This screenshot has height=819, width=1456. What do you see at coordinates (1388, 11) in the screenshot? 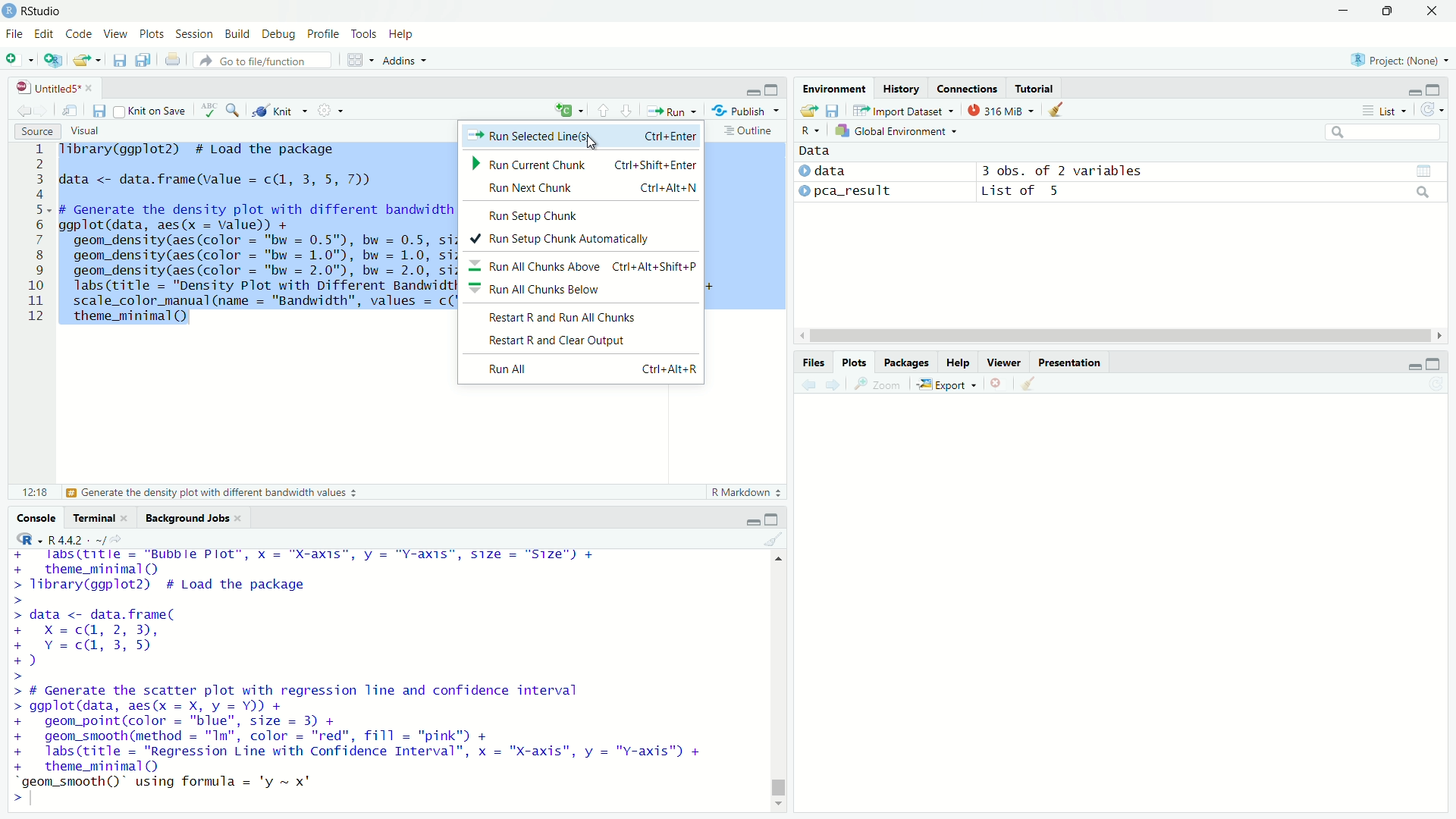
I see `restore` at bounding box center [1388, 11].